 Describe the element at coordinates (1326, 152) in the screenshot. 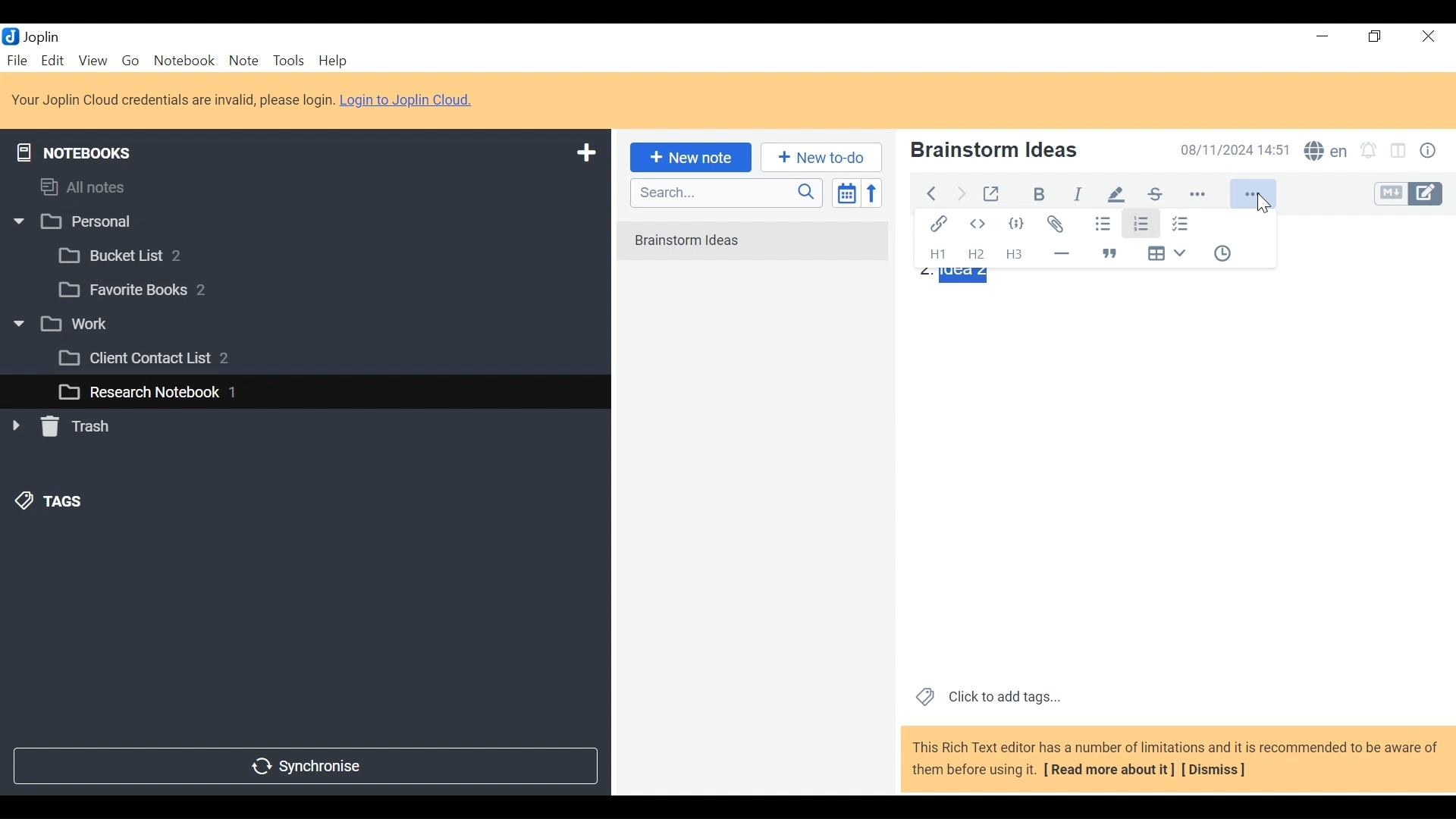

I see `Spell Checker` at that location.